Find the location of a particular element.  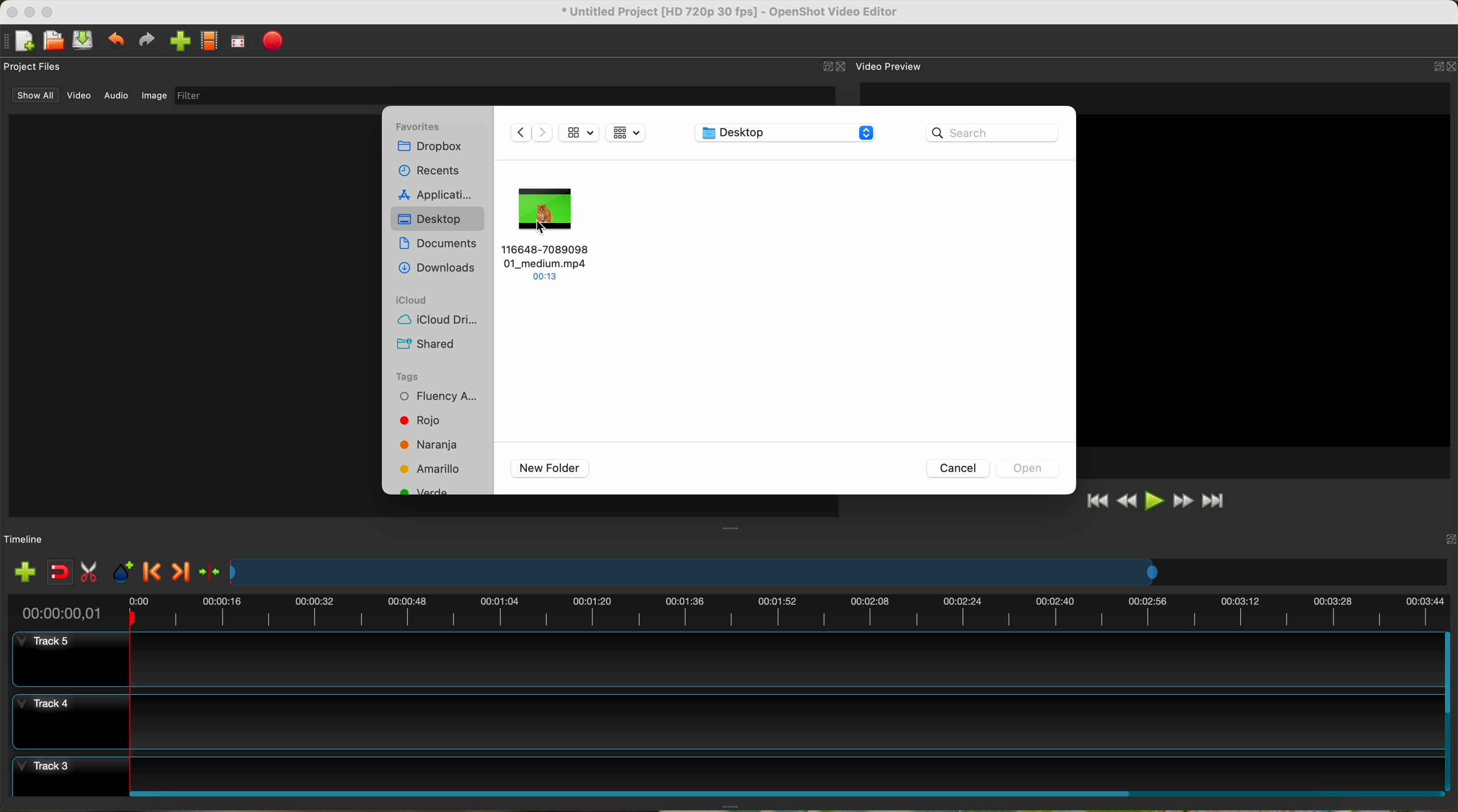

click on import file is located at coordinates (177, 37).